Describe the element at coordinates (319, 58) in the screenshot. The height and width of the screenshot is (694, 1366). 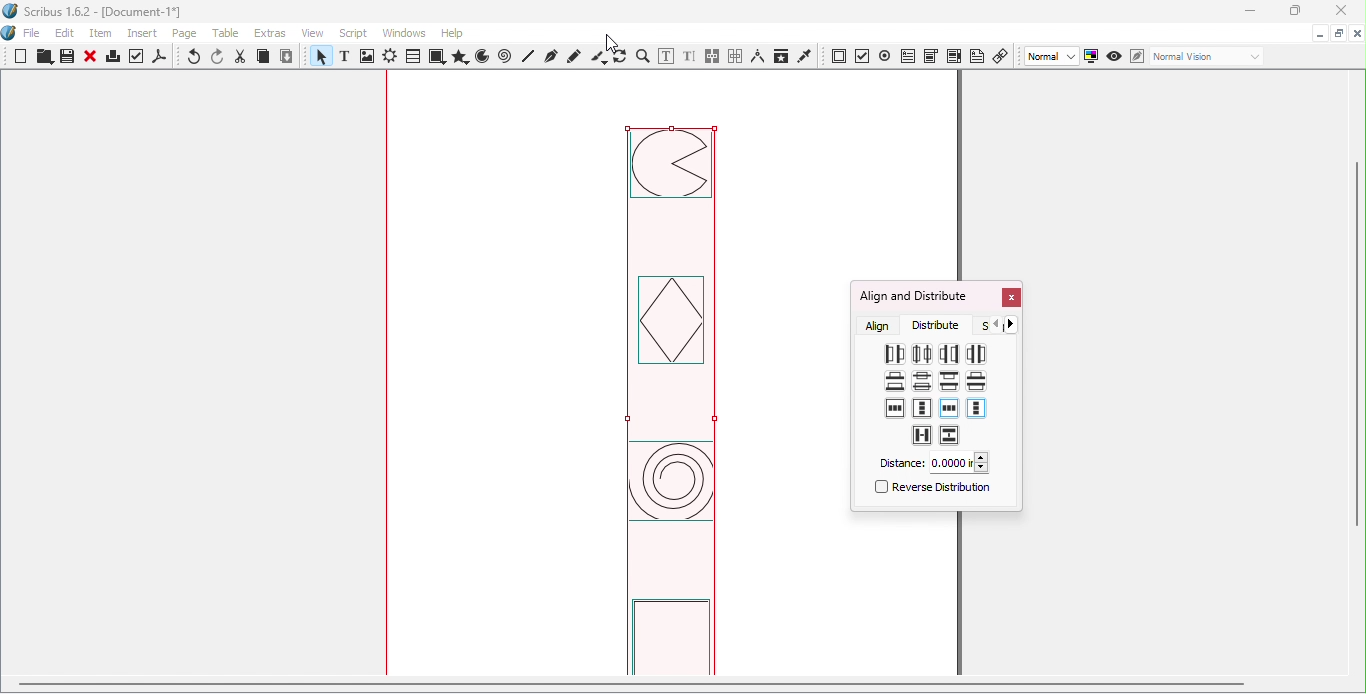
I see `Select item` at that location.